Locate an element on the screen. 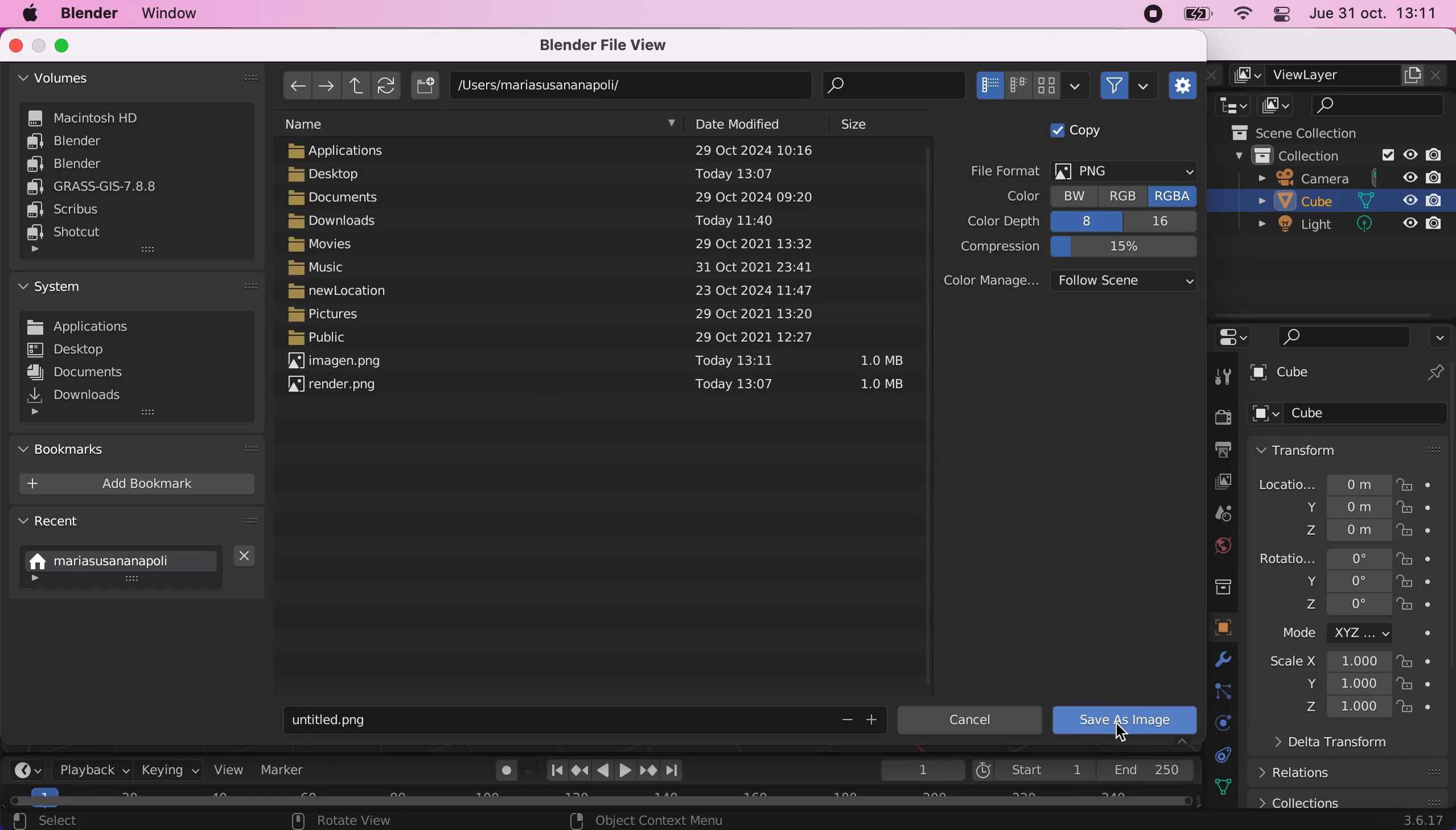  display mode is located at coordinates (1033, 83).